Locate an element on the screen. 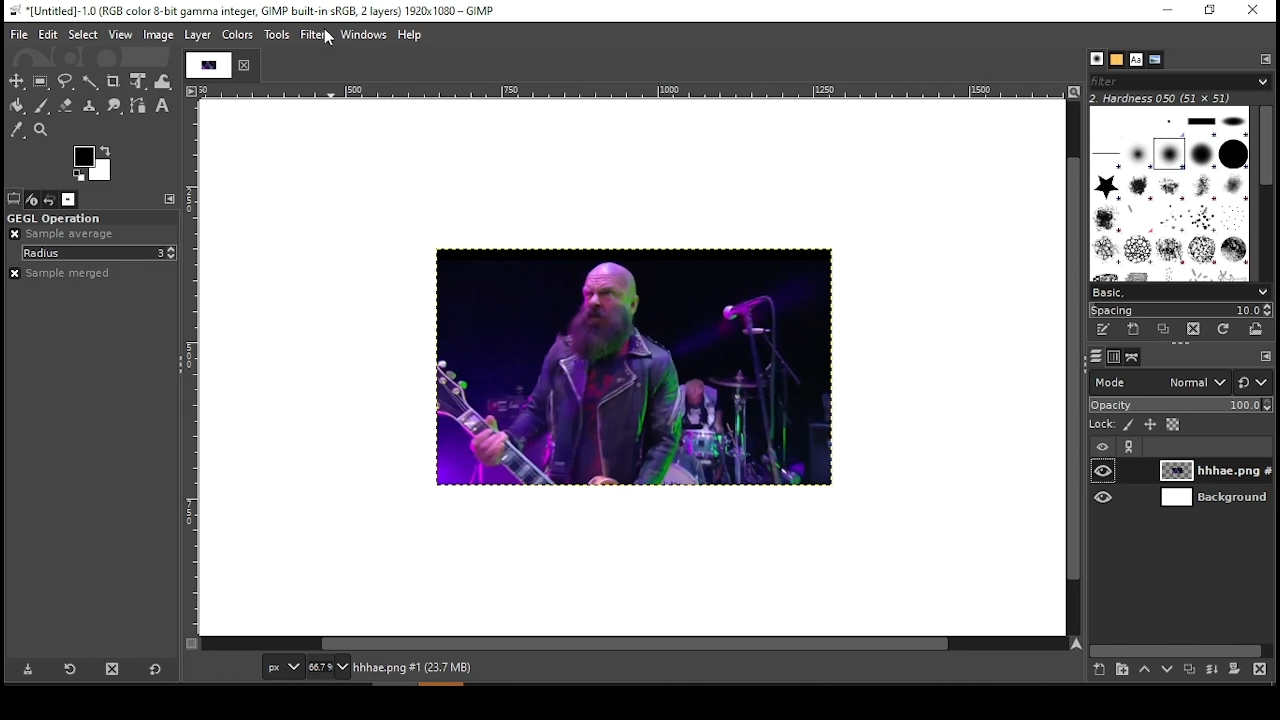  tool options is located at coordinates (12, 199).